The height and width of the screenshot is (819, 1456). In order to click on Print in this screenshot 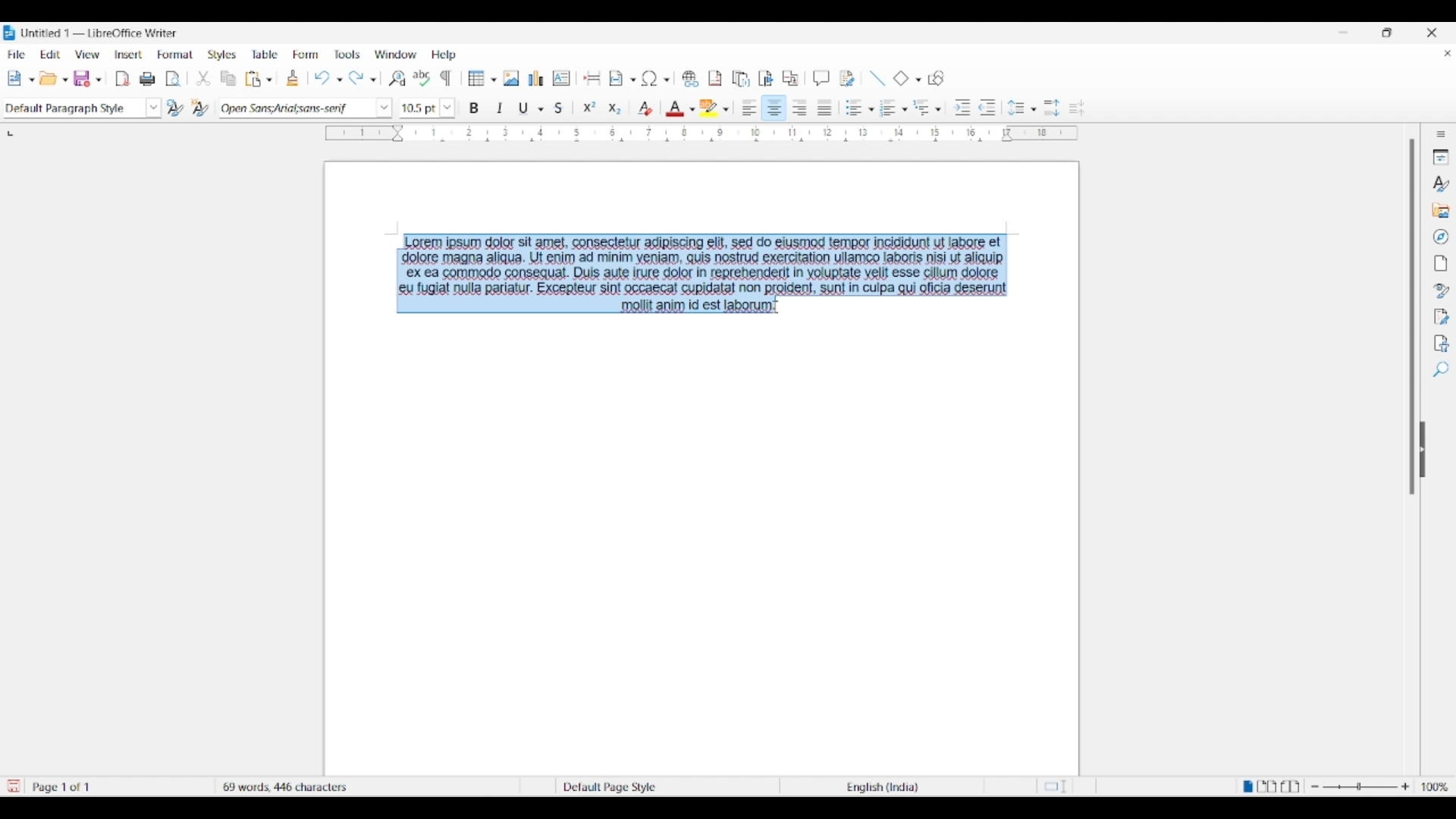, I will do `click(148, 79)`.